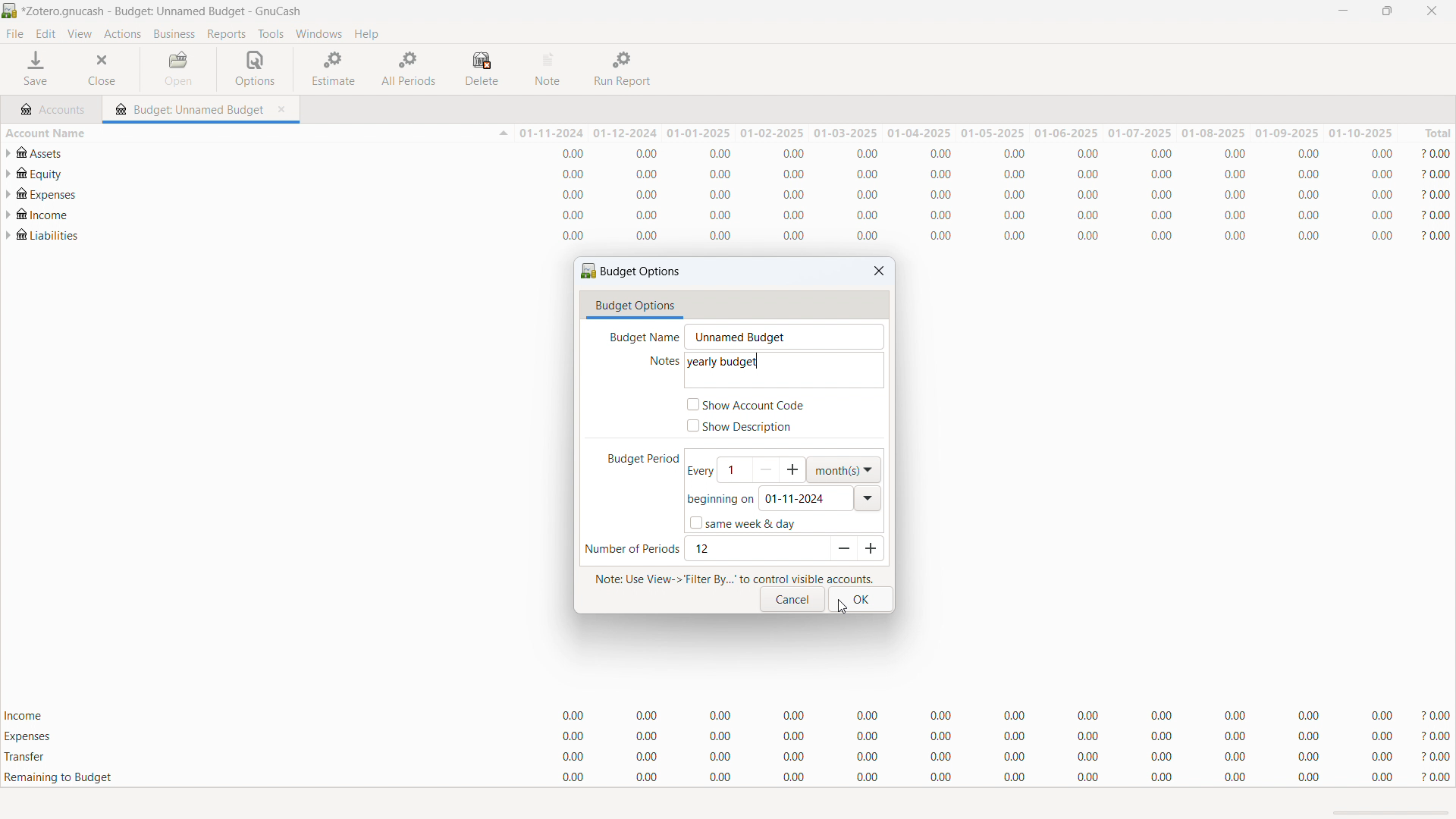  Describe the element at coordinates (52, 107) in the screenshot. I see `accounts` at that location.